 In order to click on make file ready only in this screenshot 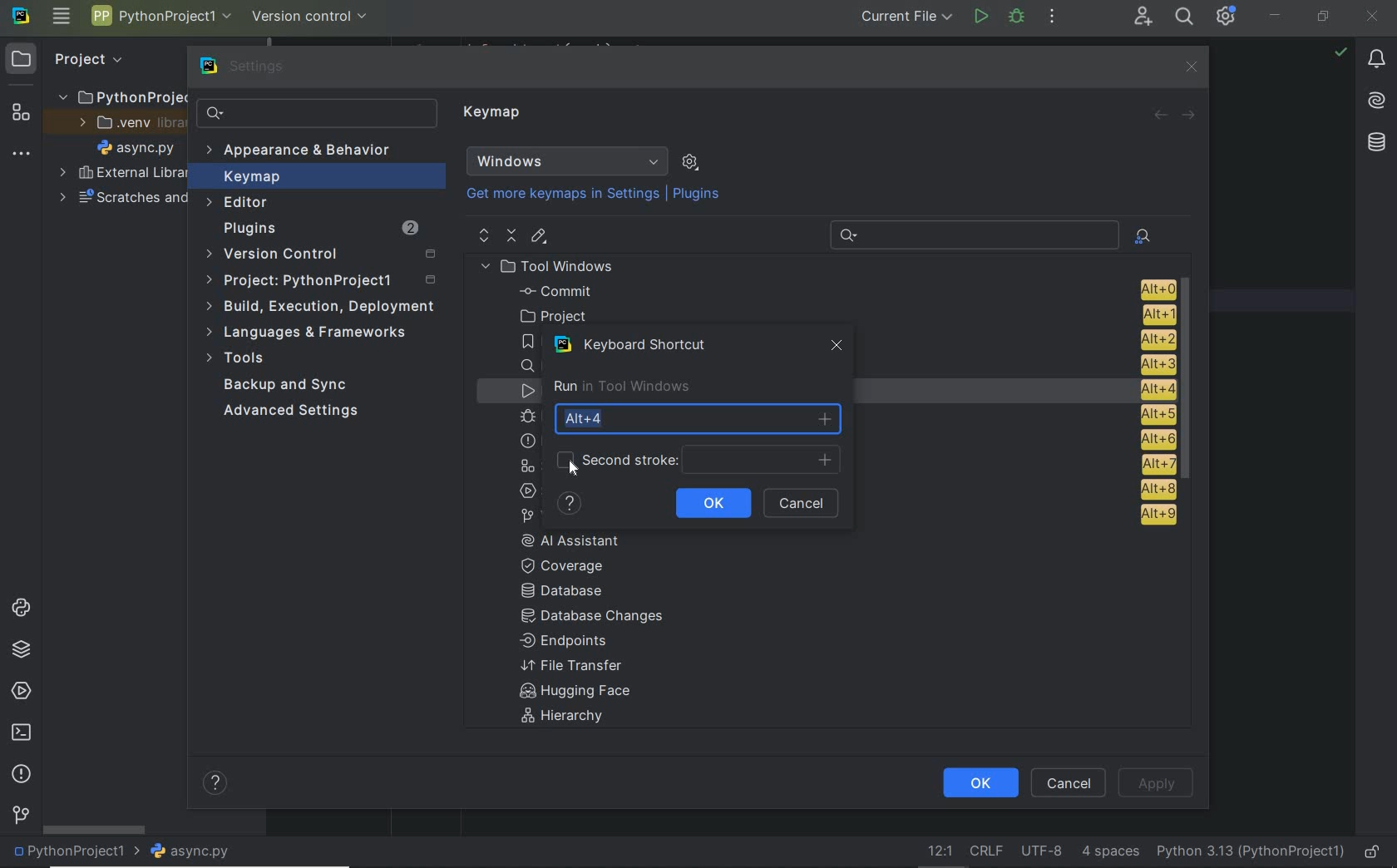, I will do `click(1372, 853)`.